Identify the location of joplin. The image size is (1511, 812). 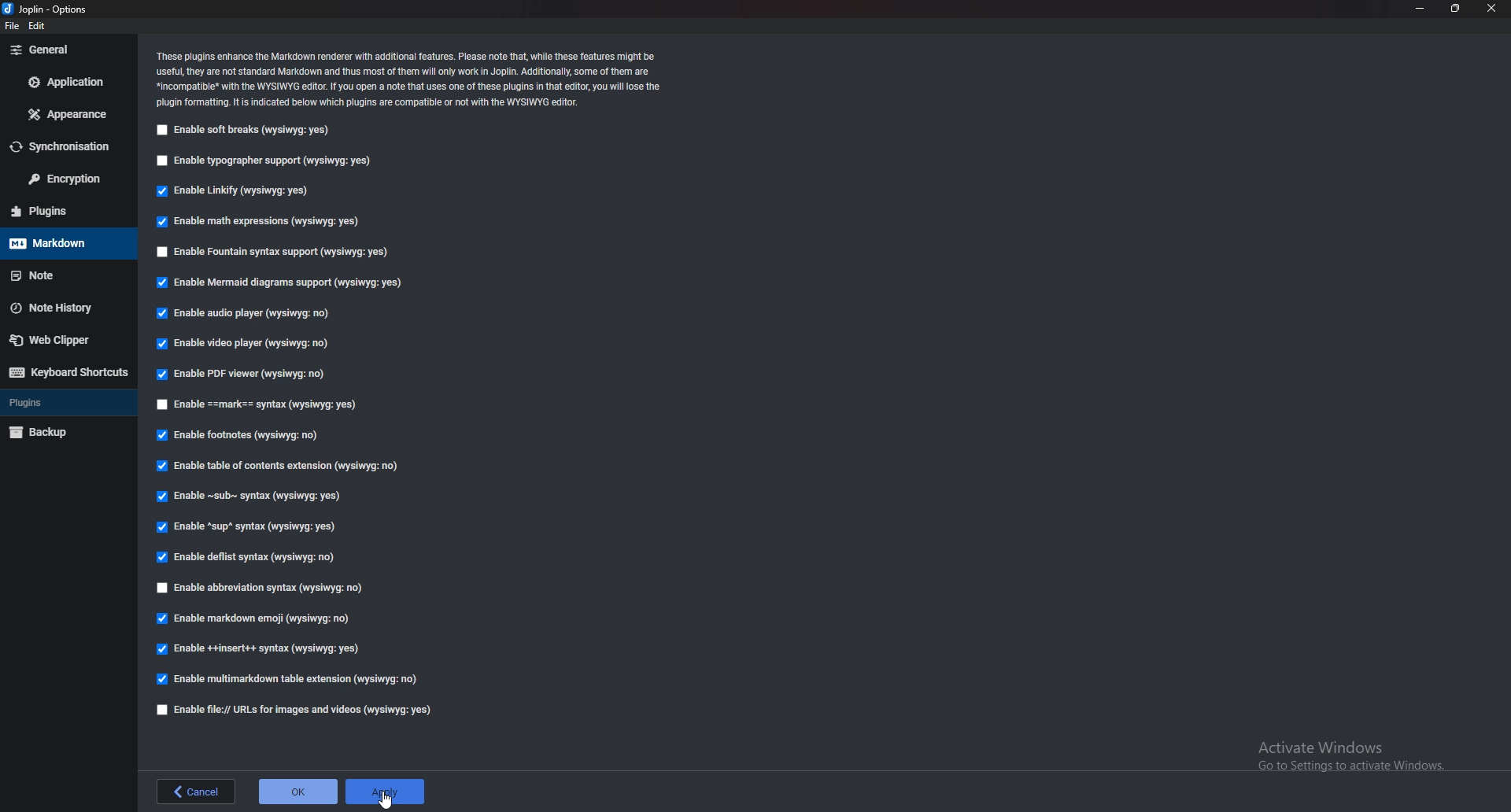
(49, 9).